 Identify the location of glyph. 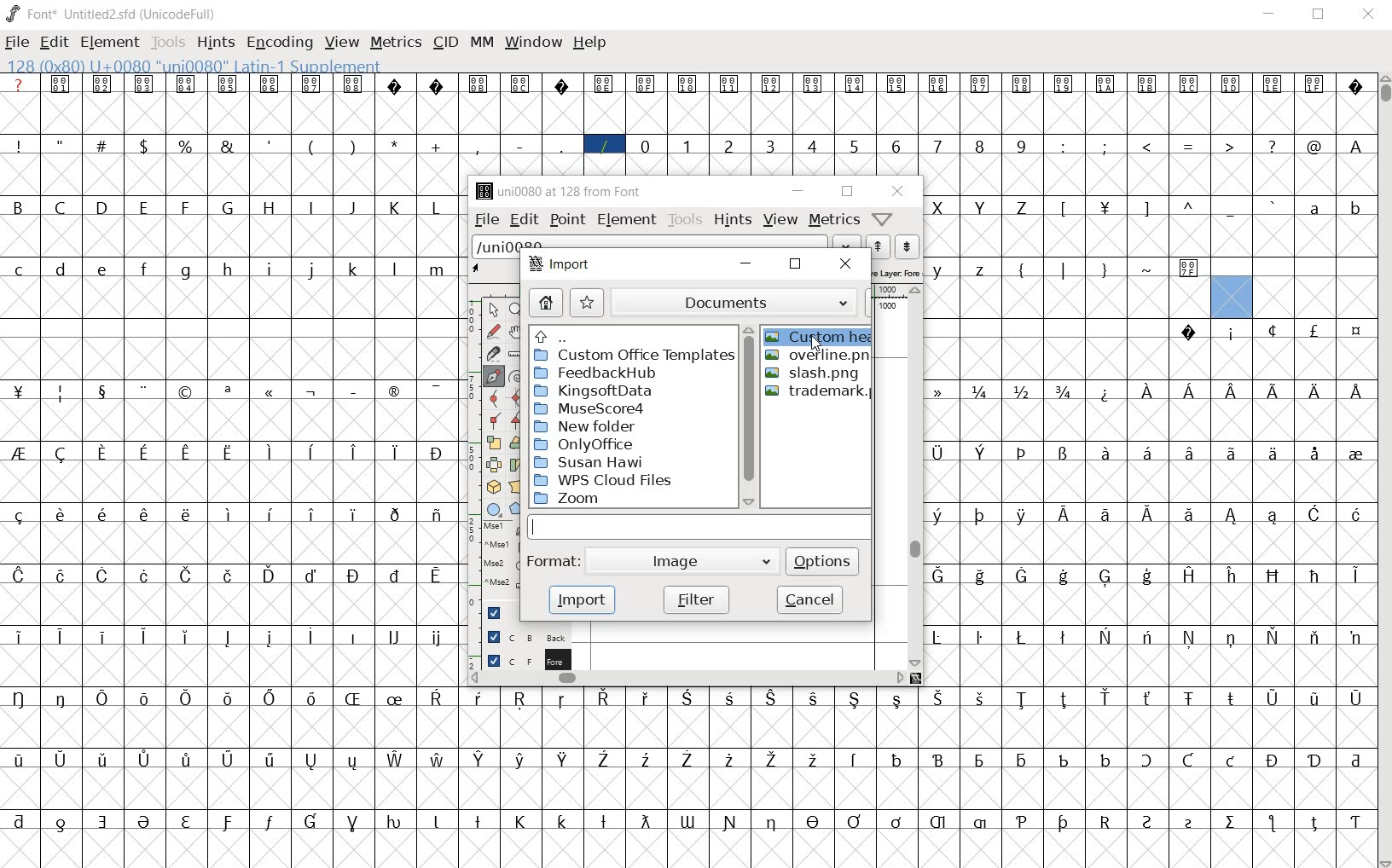
(1356, 89).